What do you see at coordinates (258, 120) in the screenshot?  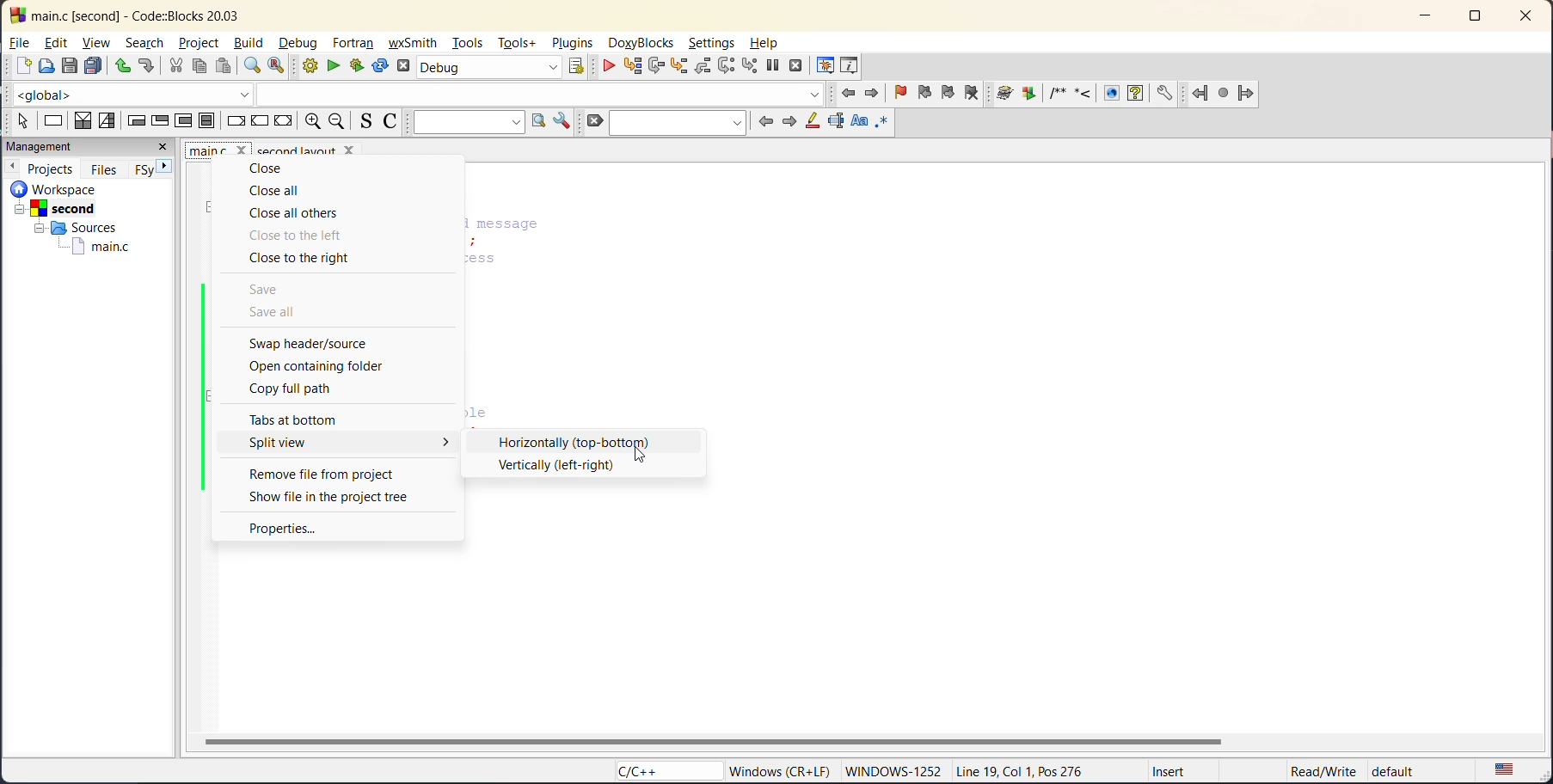 I see `continue instruction` at bounding box center [258, 120].